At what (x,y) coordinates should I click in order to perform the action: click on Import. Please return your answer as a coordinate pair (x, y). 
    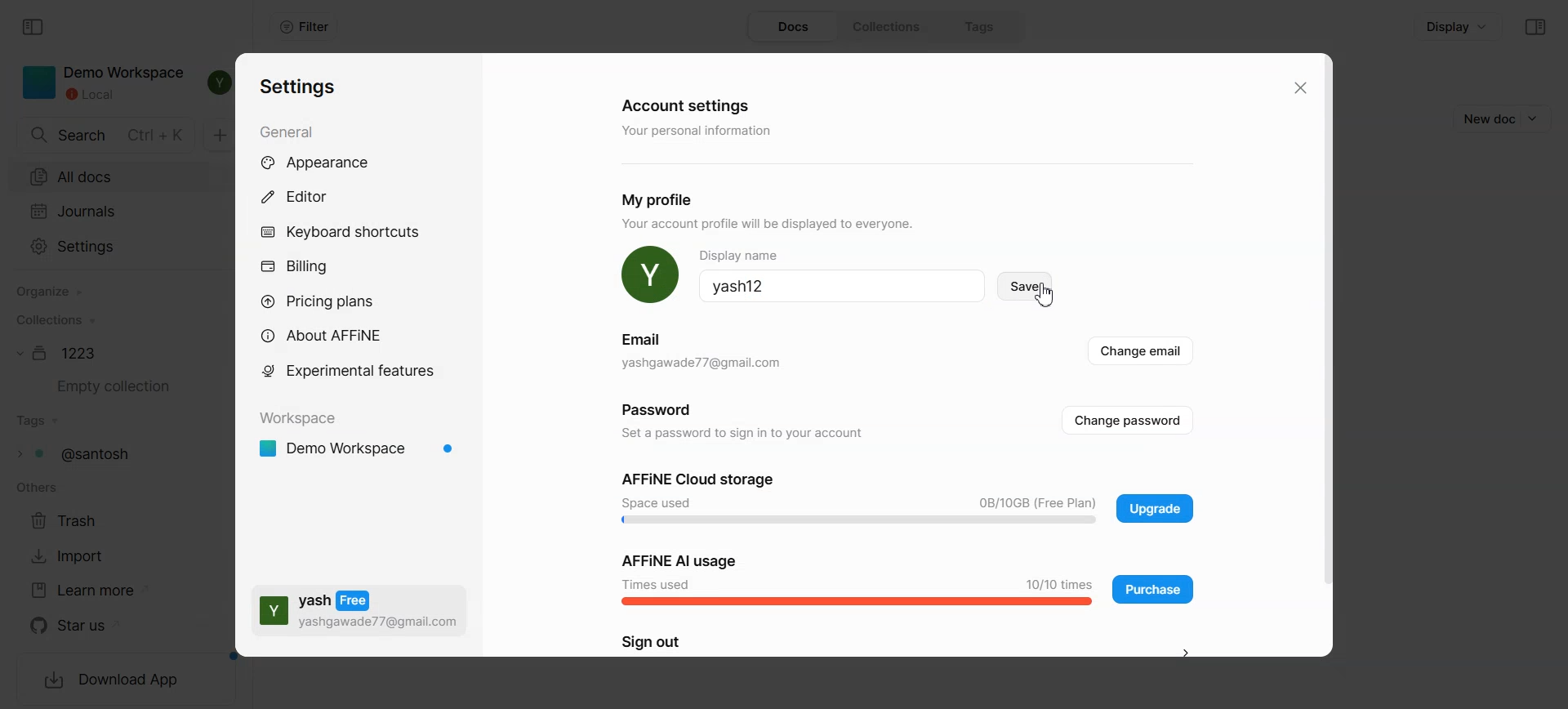
    Looking at the image, I should click on (75, 555).